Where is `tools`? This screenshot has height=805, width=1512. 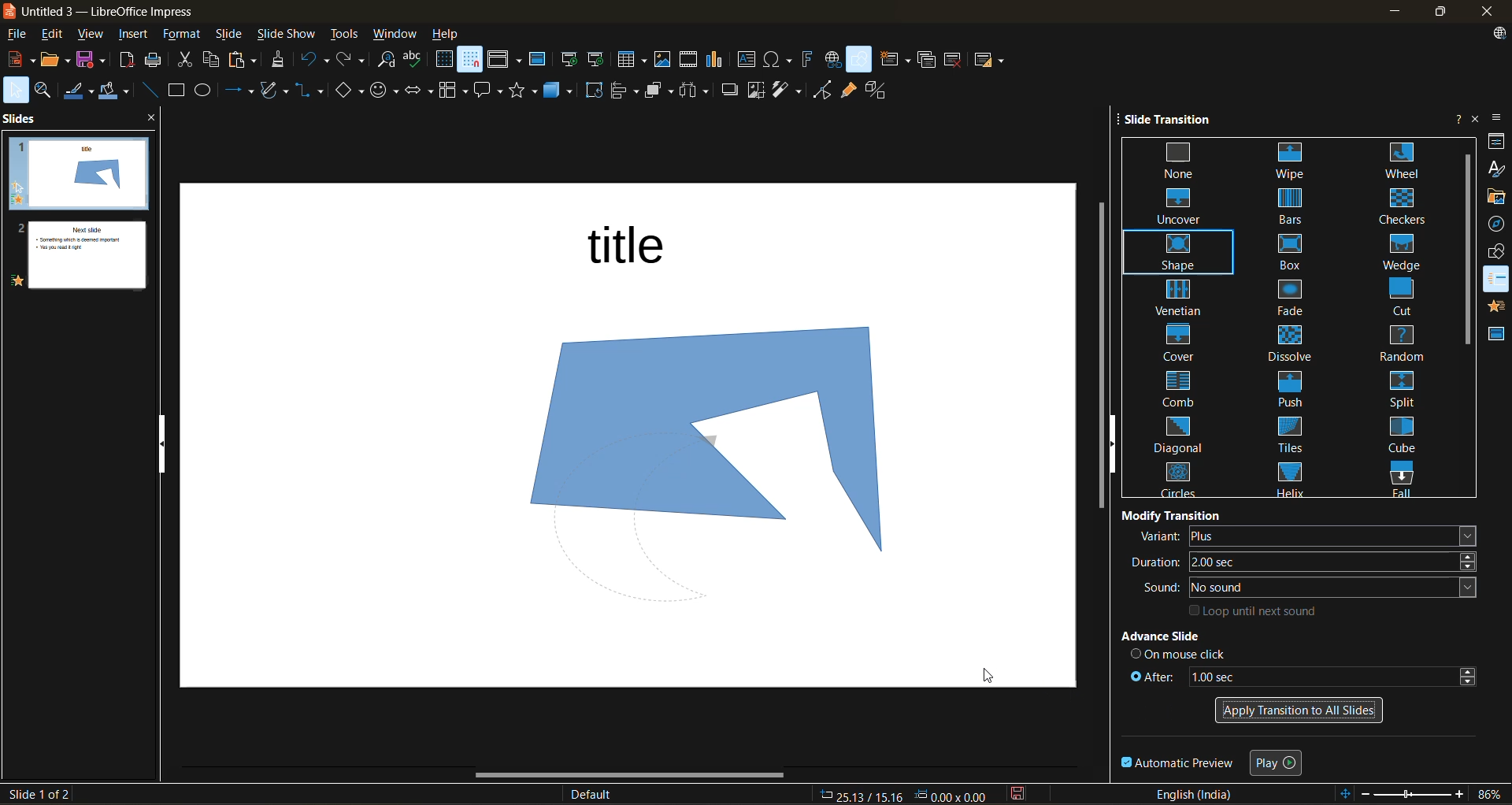 tools is located at coordinates (345, 32).